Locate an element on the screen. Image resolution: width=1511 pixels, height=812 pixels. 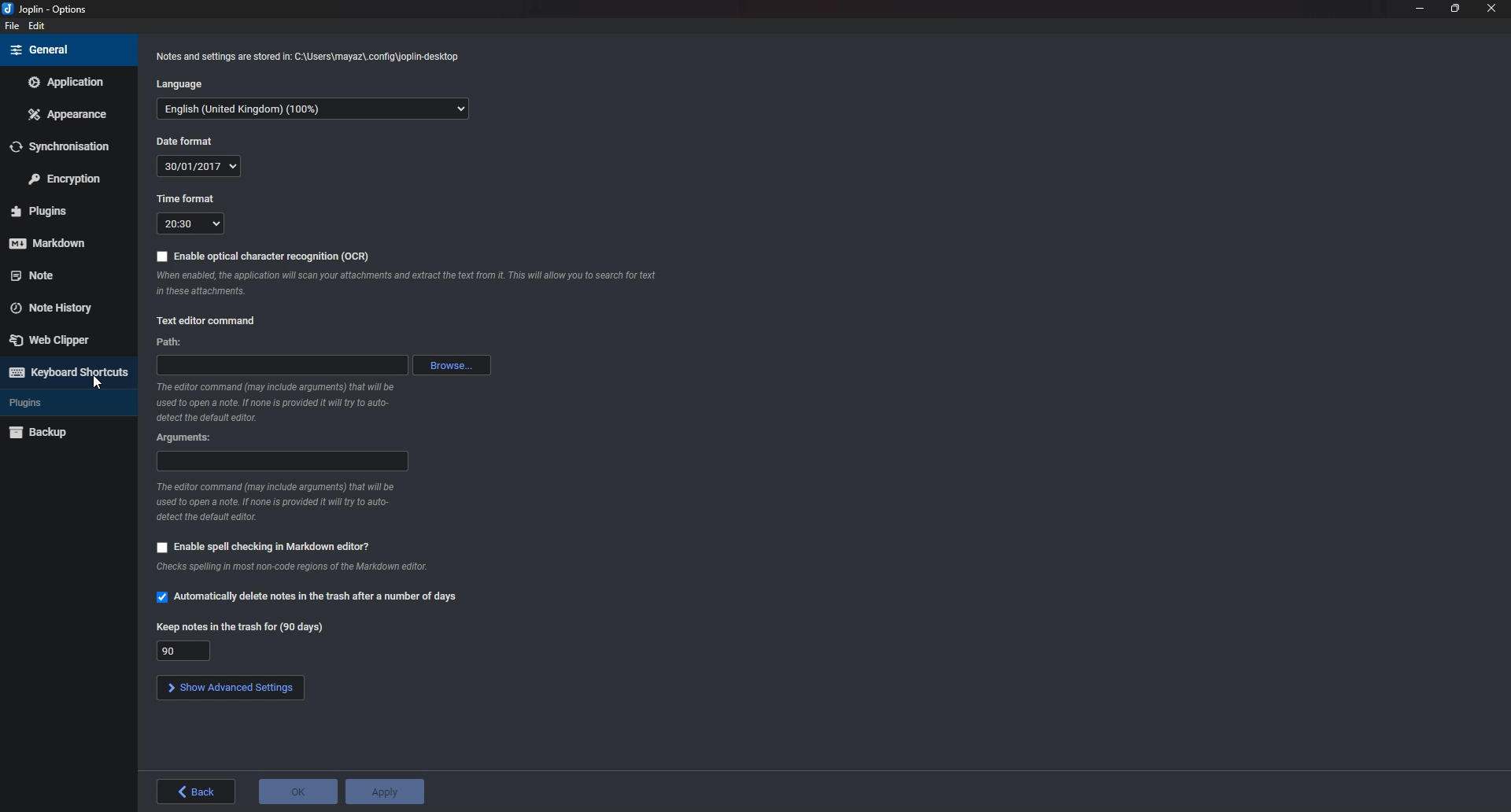
Text editor command is located at coordinates (211, 322).